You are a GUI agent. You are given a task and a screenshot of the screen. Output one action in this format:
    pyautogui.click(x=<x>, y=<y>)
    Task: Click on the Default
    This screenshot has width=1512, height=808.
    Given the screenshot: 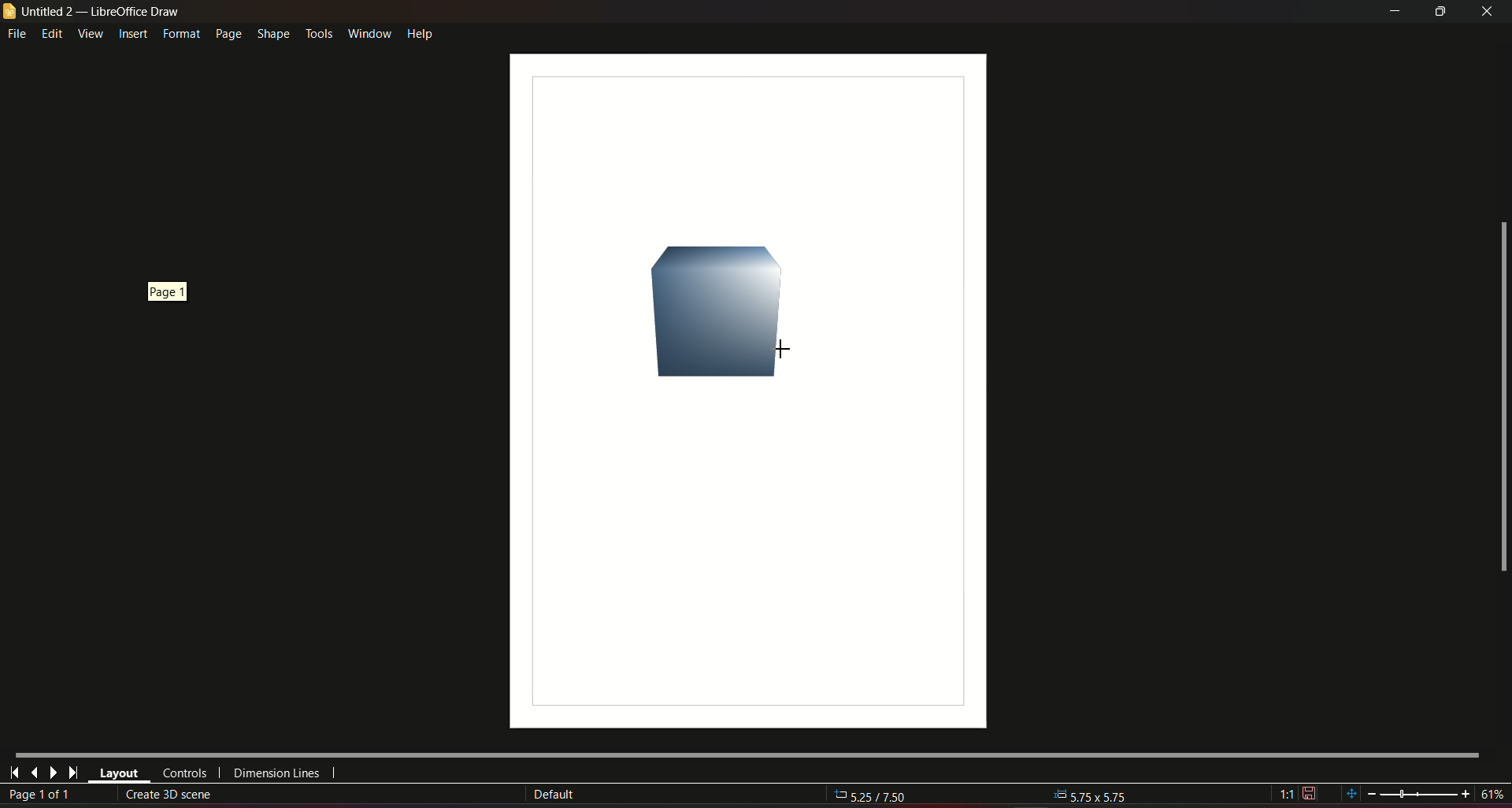 What is the action you would take?
    pyautogui.click(x=554, y=795)
    